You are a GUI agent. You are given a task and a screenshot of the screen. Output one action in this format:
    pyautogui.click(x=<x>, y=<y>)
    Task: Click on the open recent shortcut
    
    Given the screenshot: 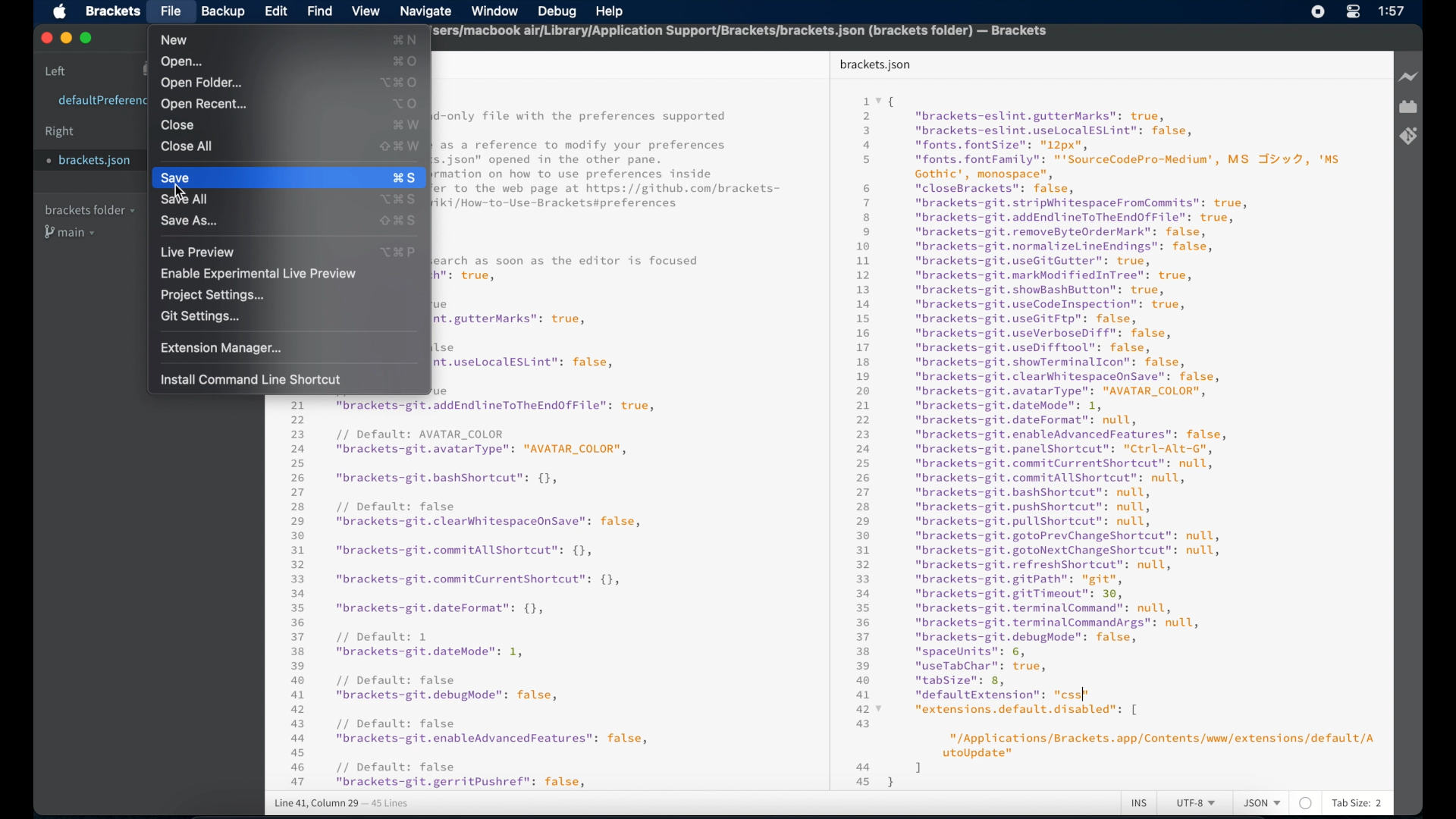 What is the action you would take?
    pyautogui.click(x=400, y=103)
    